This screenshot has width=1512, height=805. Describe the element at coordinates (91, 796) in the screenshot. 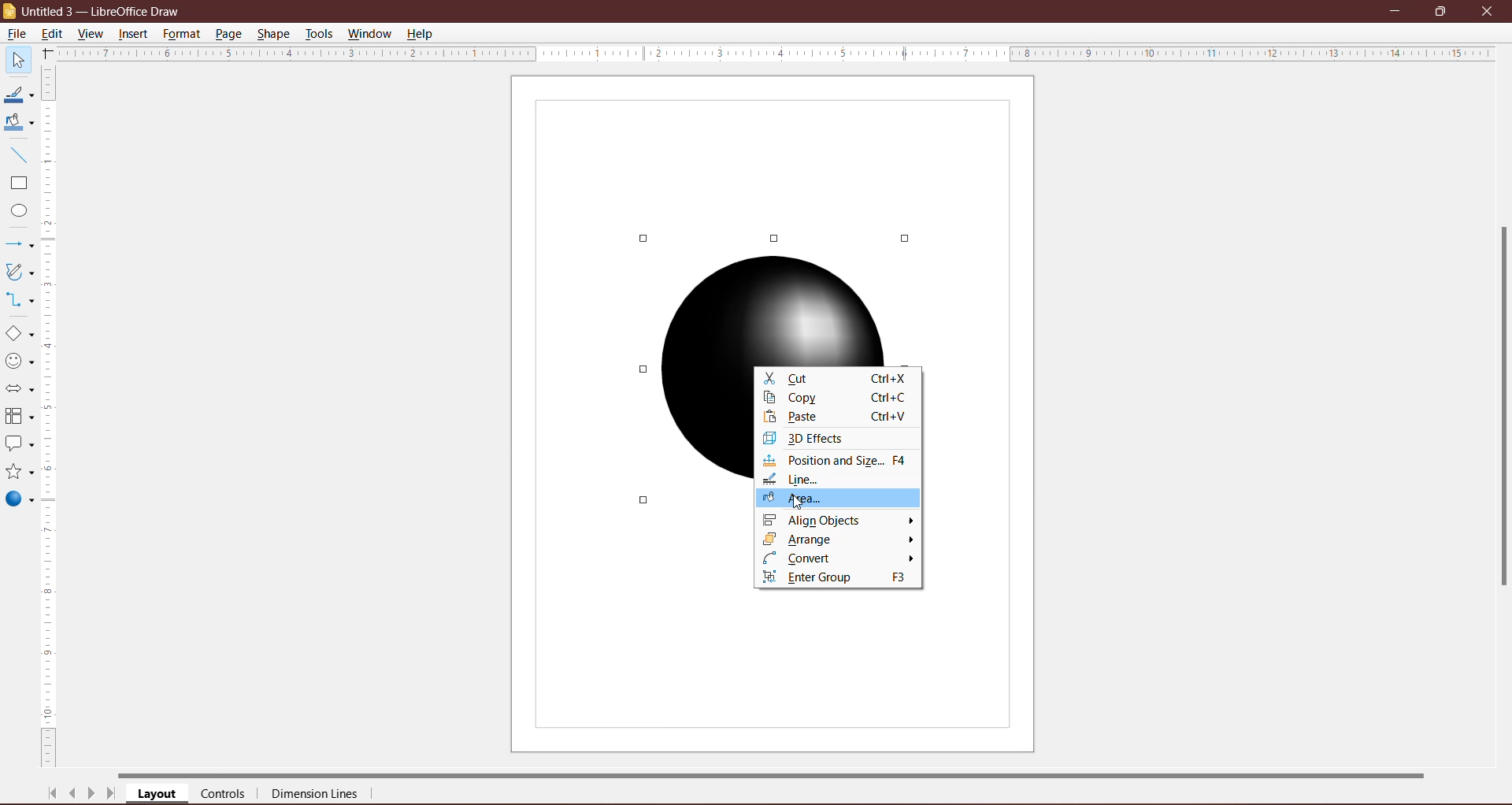

I see `Scroll to next page` at that location.